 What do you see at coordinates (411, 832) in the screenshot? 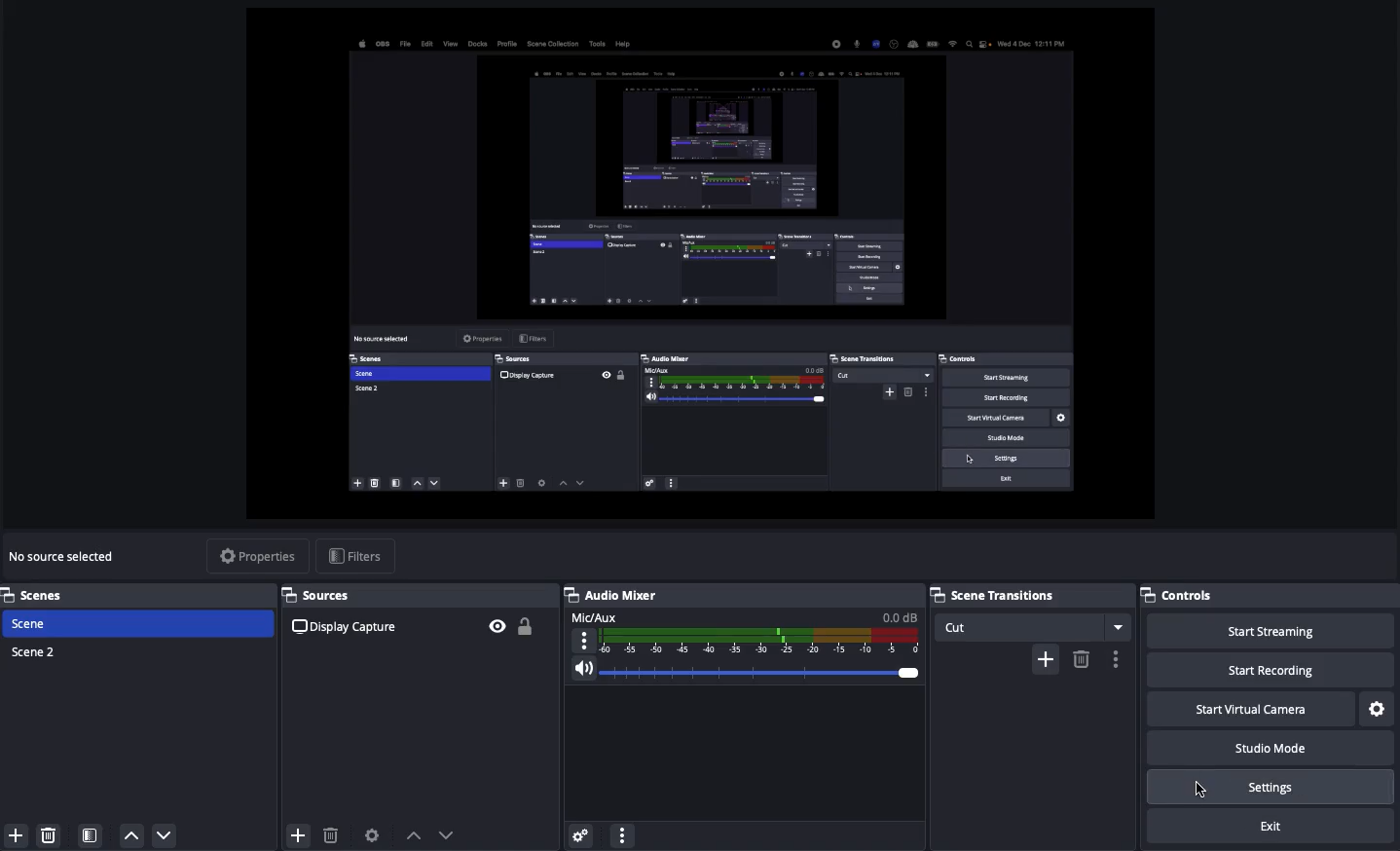
I see `Up` at bounding box center [411, 832].